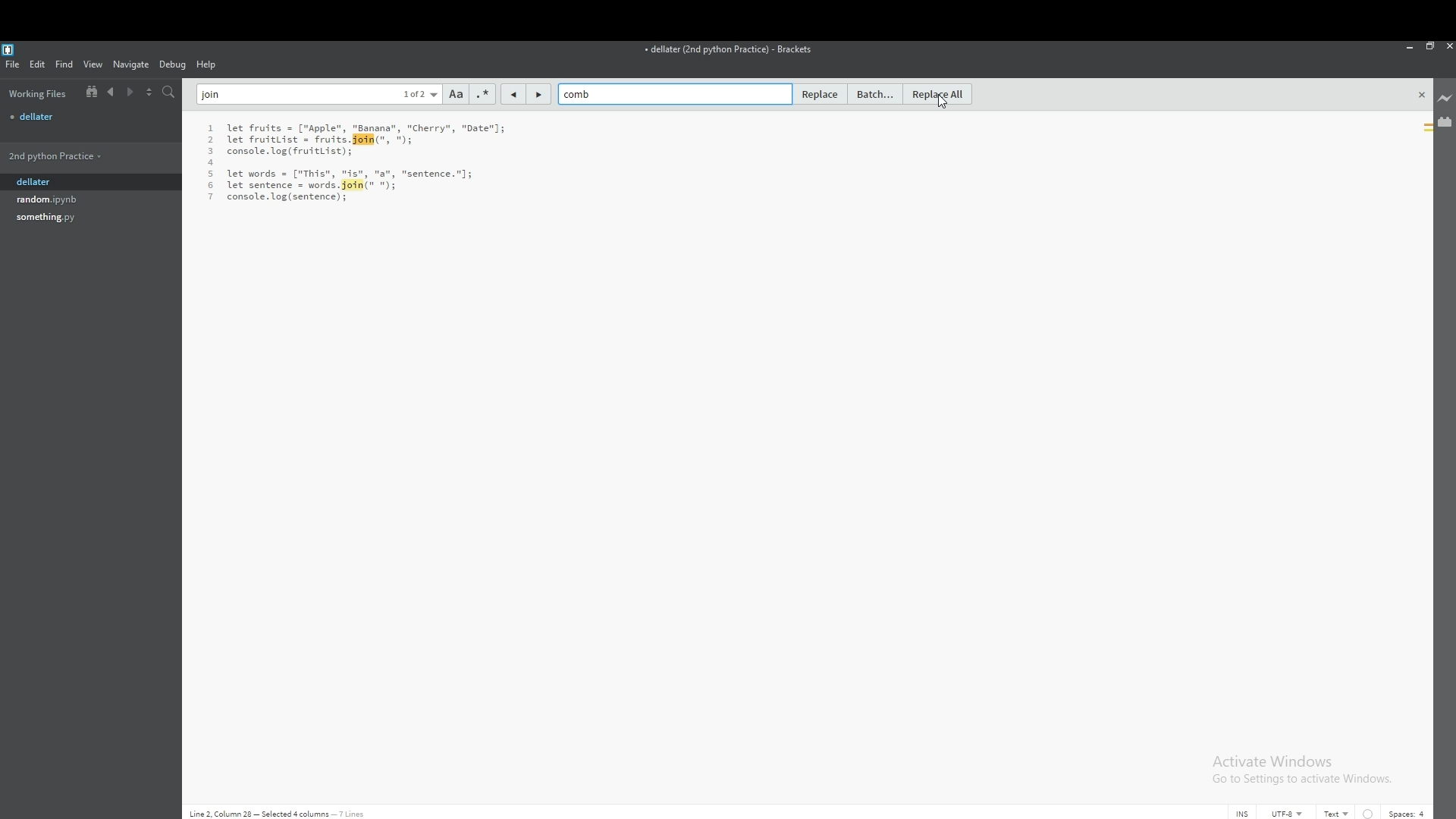 The width and height of the screenshot is (1456, 819). I want to click on search, so click(169, 92).